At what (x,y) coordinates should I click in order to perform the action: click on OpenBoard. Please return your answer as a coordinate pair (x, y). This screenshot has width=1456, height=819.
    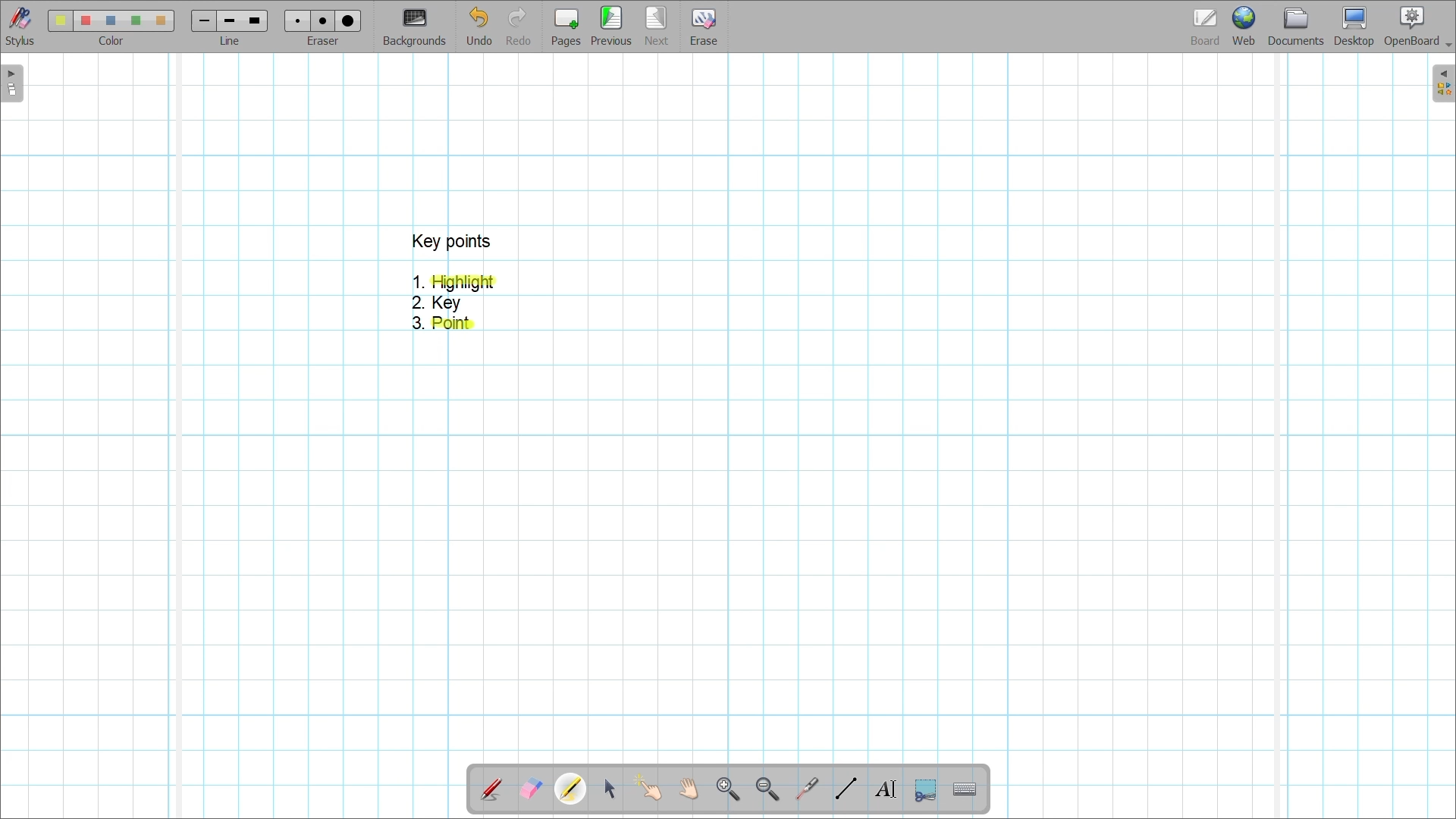
    Looking at the image, I should click on (1417, 27).